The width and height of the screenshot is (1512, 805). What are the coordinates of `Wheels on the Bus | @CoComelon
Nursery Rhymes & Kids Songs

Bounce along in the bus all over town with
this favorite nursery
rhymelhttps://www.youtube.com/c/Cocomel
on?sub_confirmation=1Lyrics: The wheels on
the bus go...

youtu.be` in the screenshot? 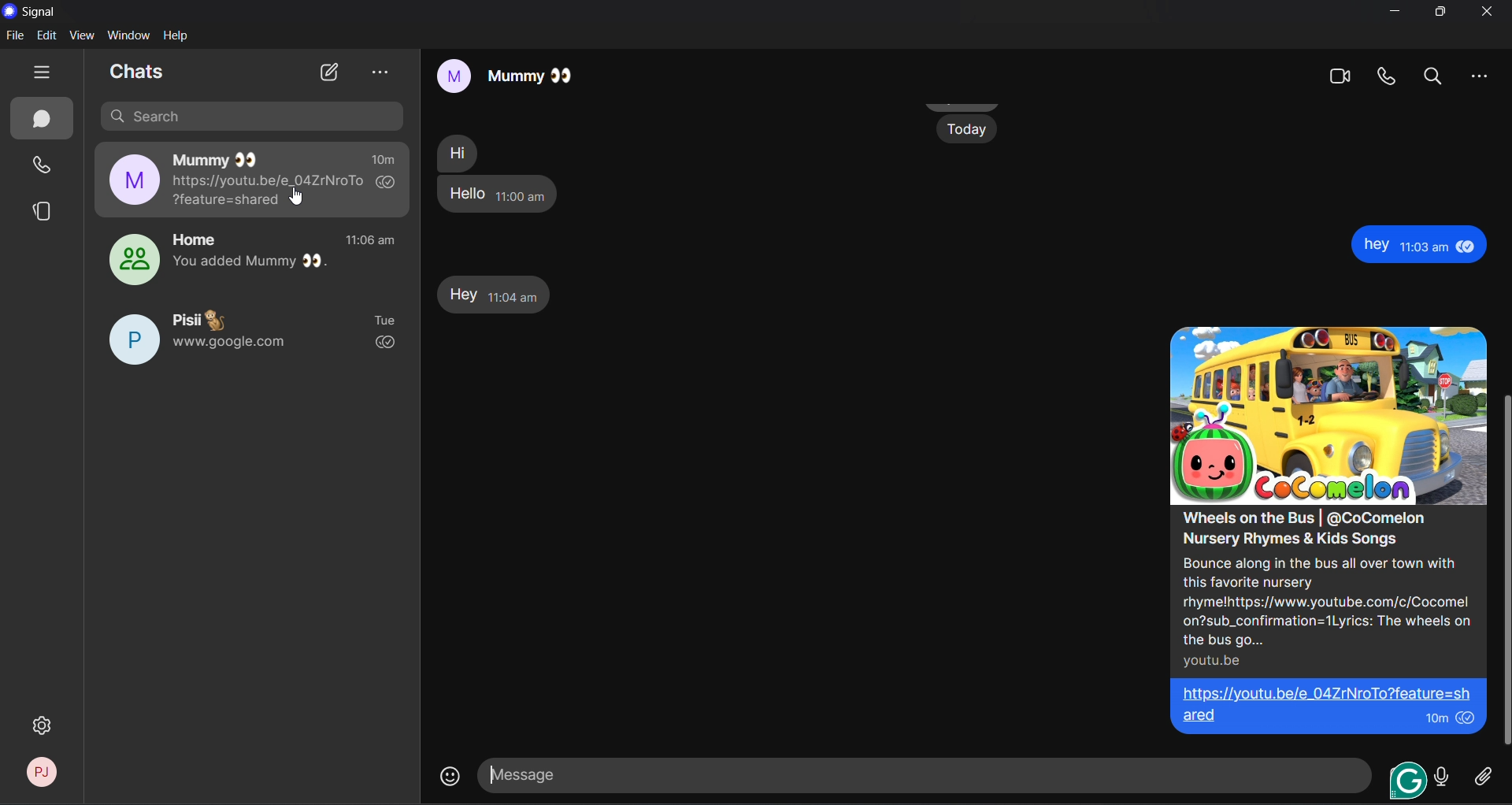 It's located at (1319, 591).